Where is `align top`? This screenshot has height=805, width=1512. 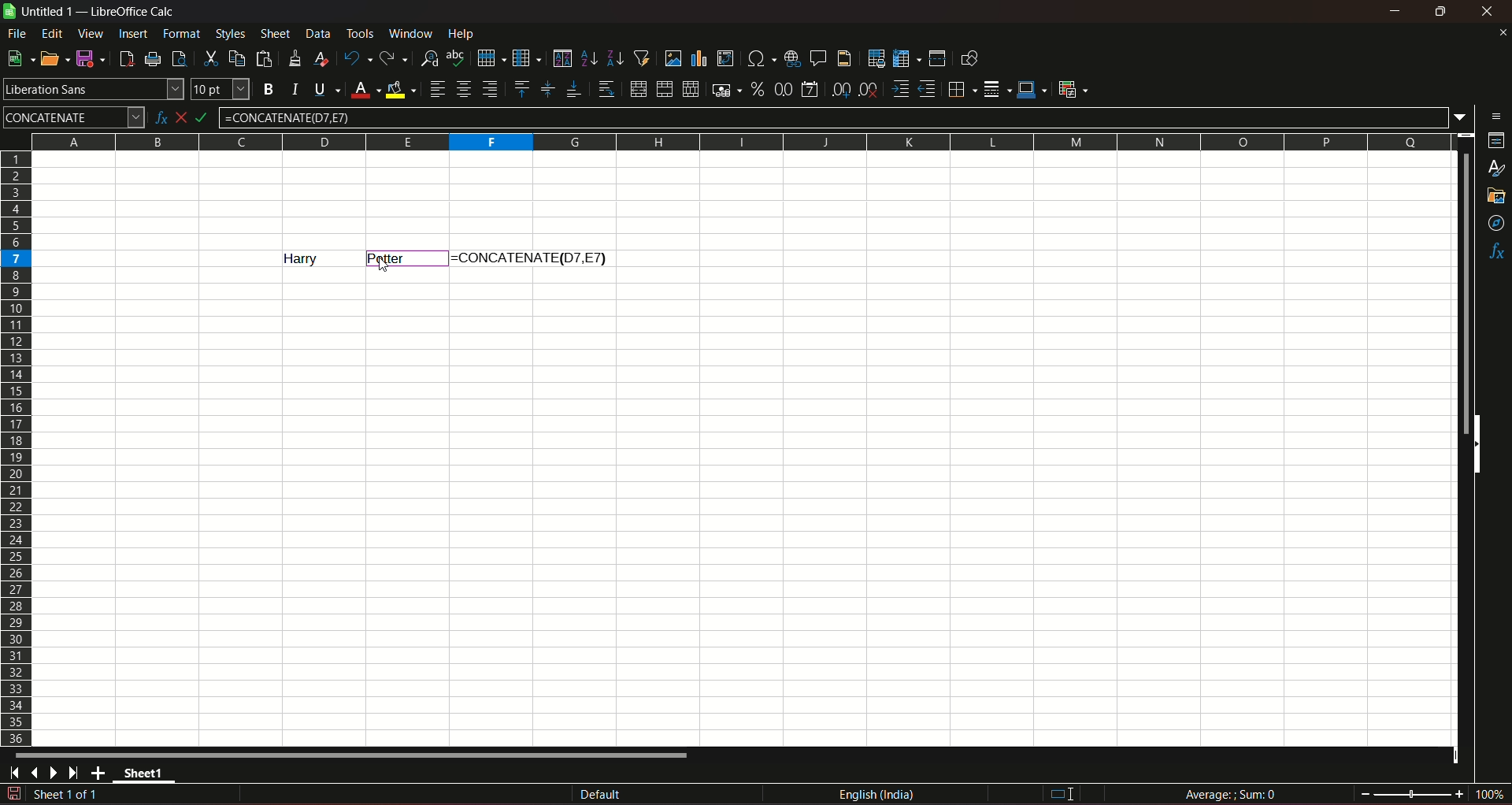 align top is located at coordinates (521, 88).